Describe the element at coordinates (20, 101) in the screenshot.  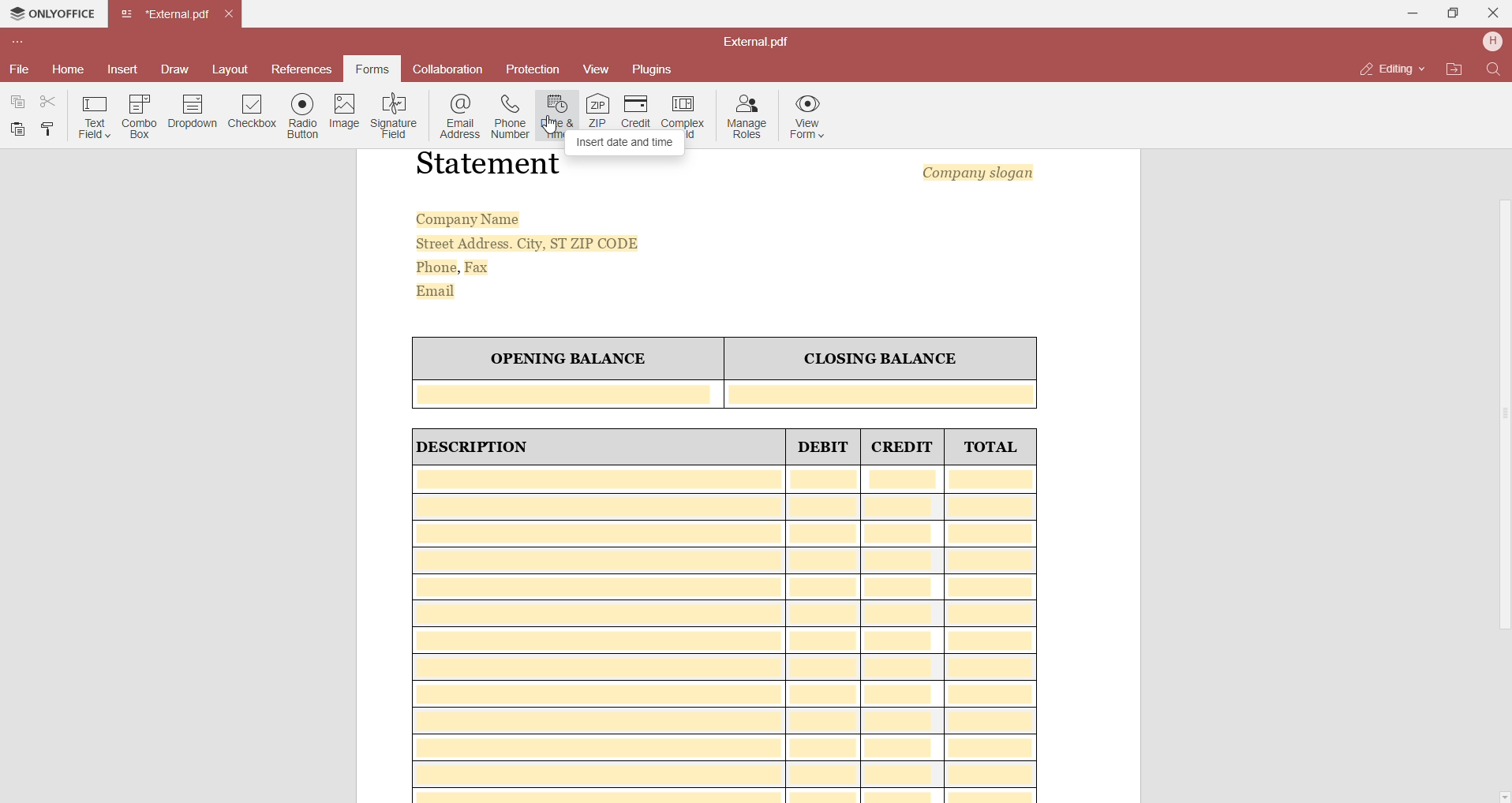
I see `Copy` at that location.